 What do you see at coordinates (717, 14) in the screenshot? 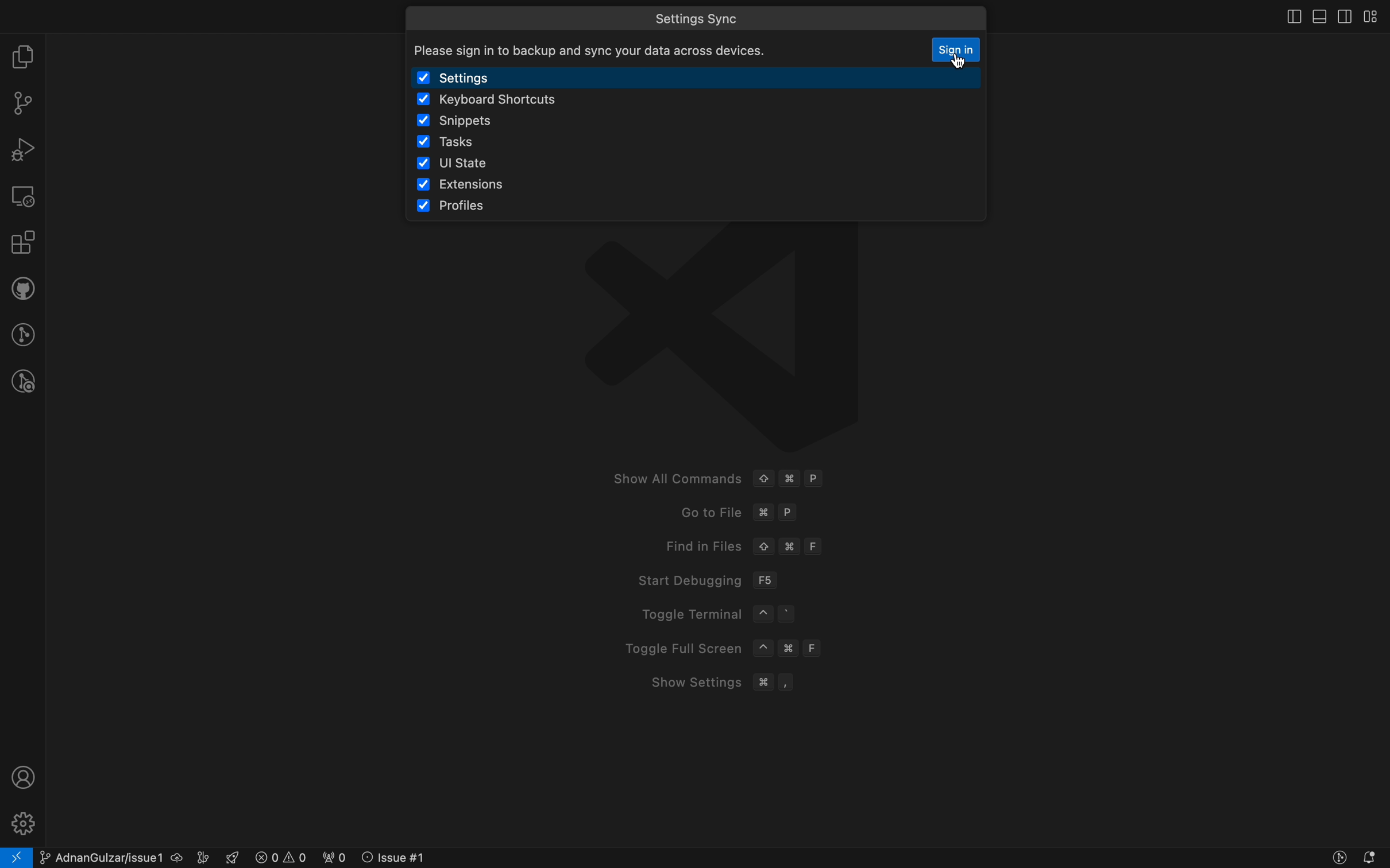
I see `quick menus` at bounding box center [717, 14].